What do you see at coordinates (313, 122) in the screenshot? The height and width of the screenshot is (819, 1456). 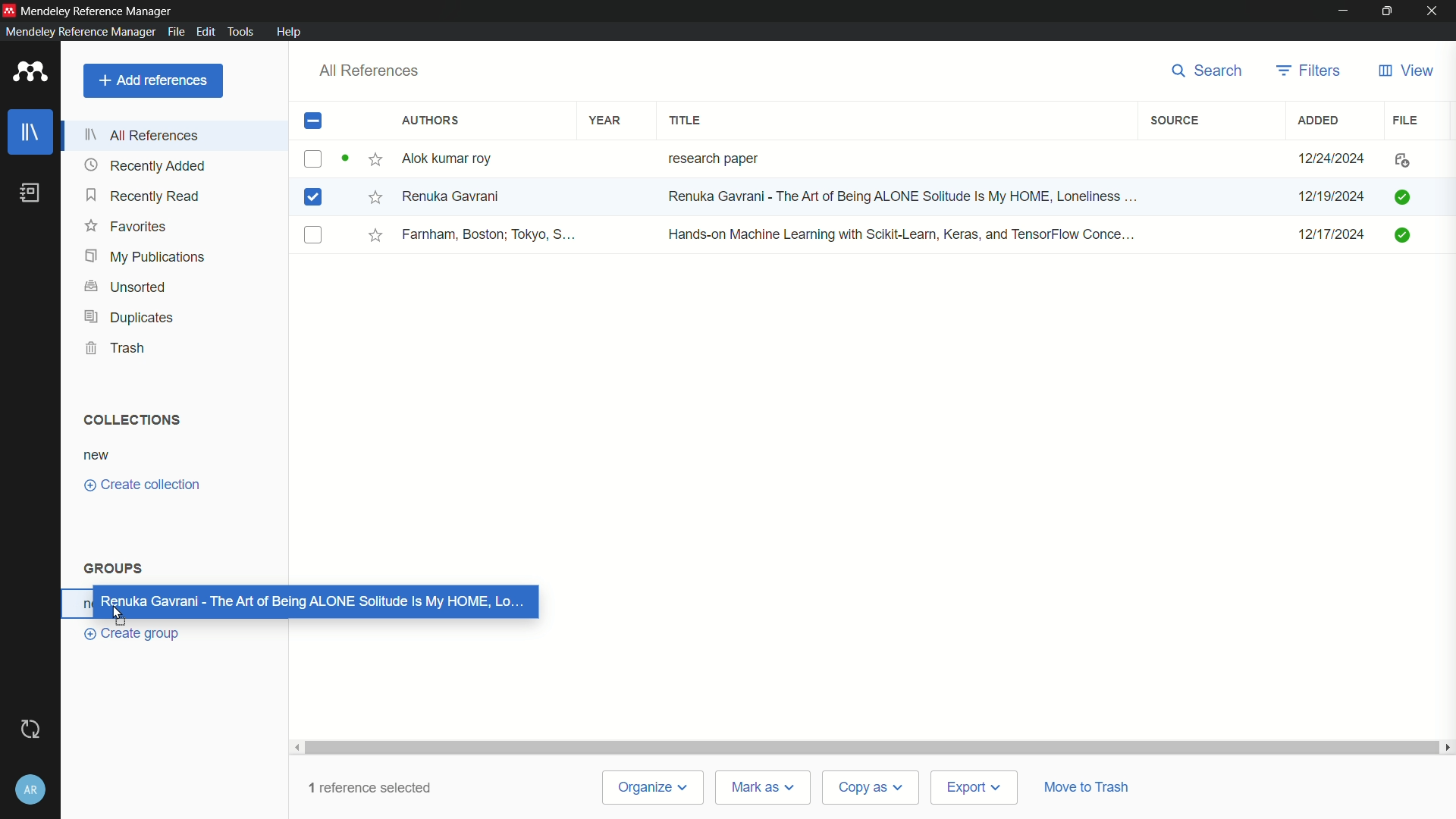 I see `check box` at bounding box center [313, 122].